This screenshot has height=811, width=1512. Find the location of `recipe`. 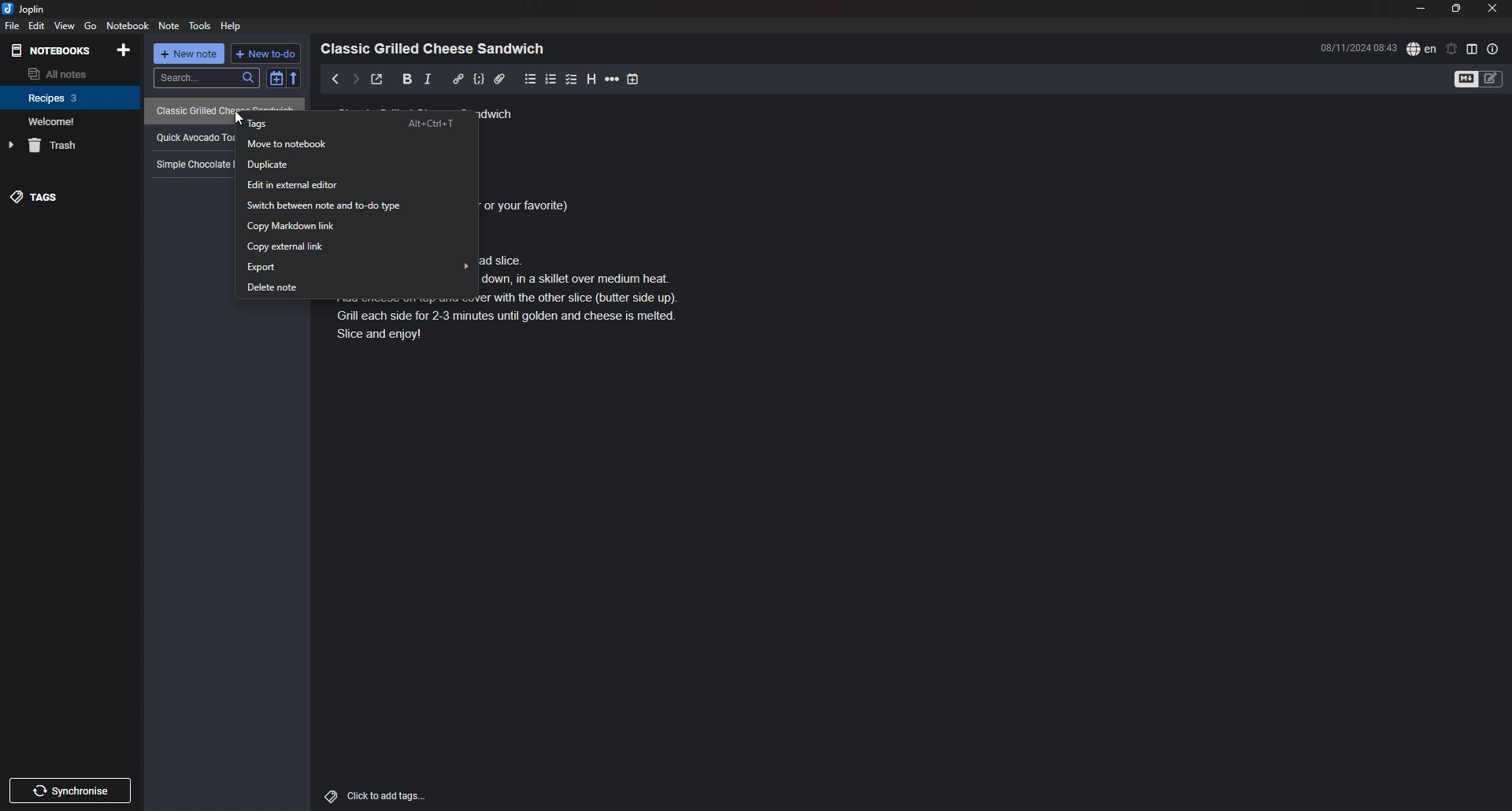

recipe is located at coordinates (220, 109).